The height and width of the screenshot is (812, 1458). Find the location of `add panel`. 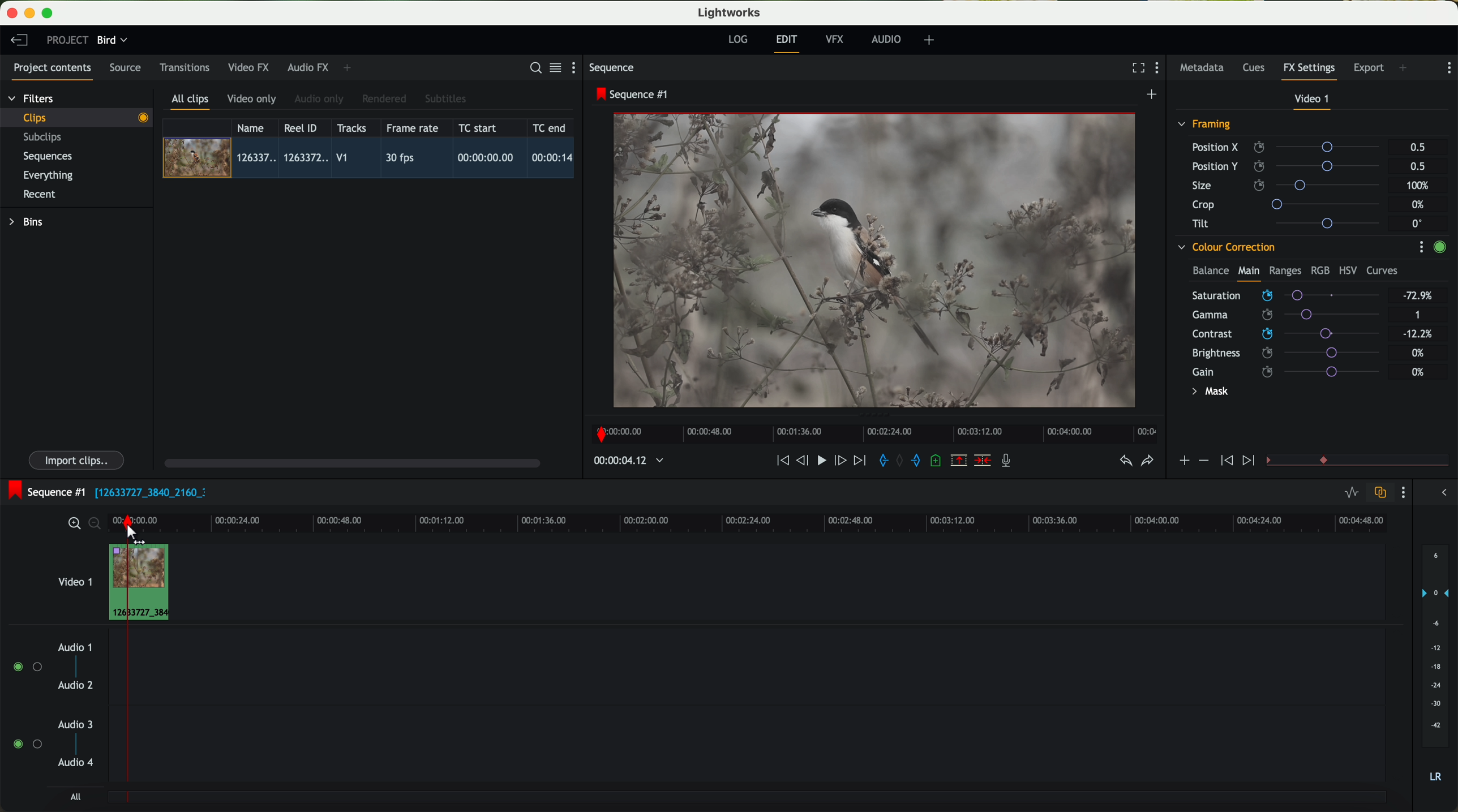

add panel is located at coordinates (350, 68).